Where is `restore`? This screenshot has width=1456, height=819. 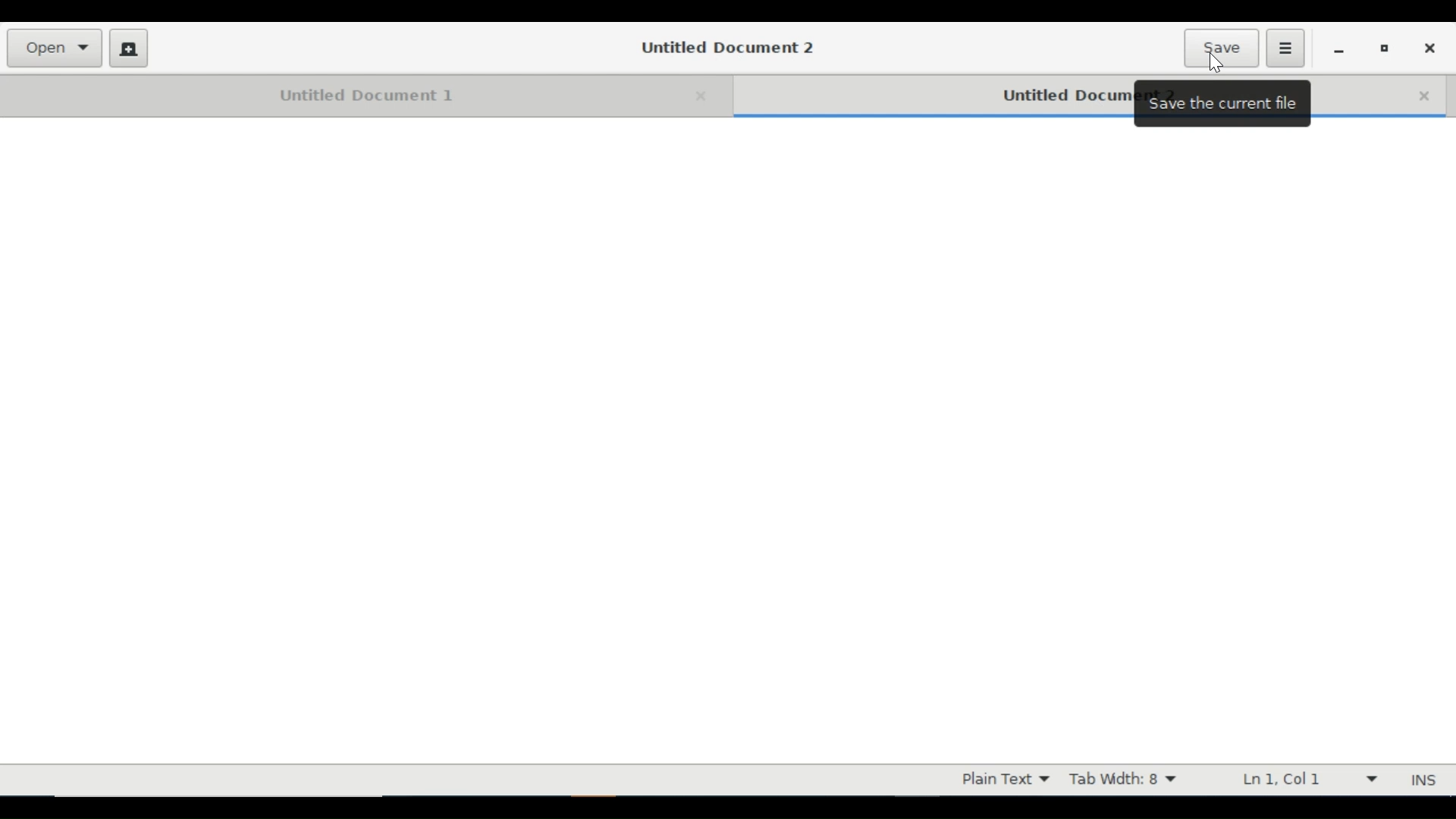 restore is located at coordinates (1386, 49).